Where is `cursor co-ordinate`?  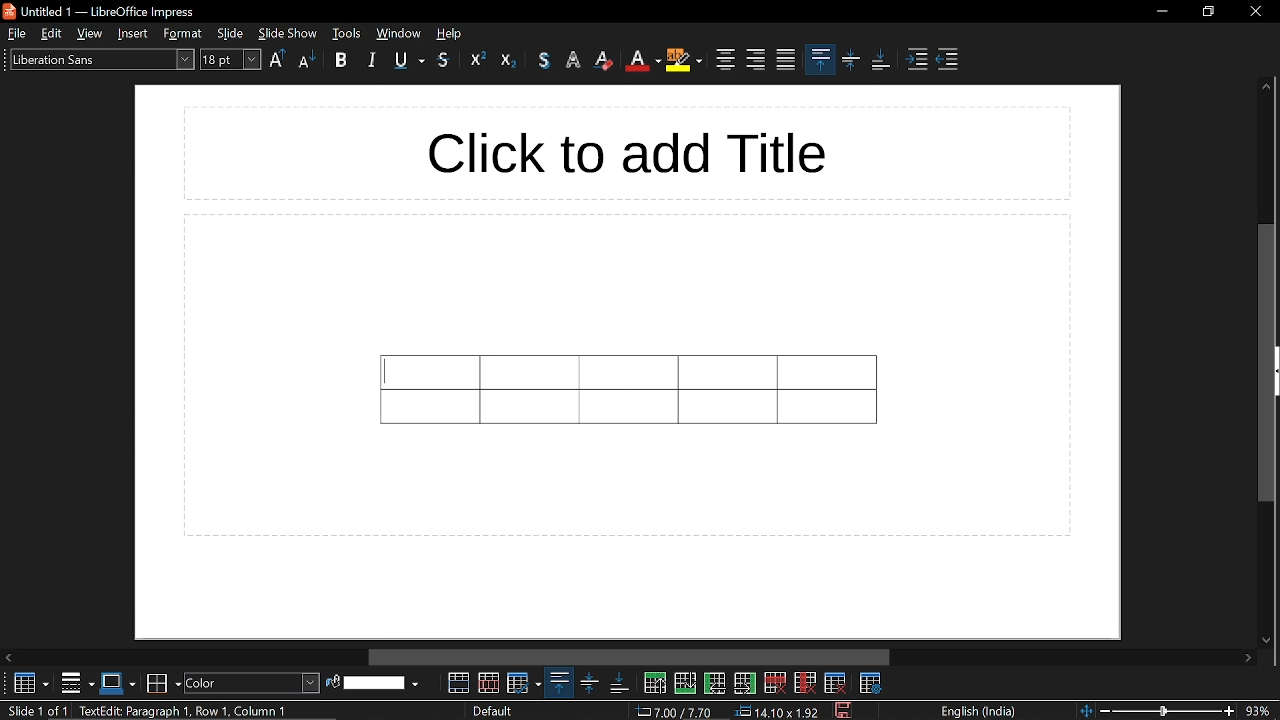
cursor co-ordinate is located at coordinates (676, 712).